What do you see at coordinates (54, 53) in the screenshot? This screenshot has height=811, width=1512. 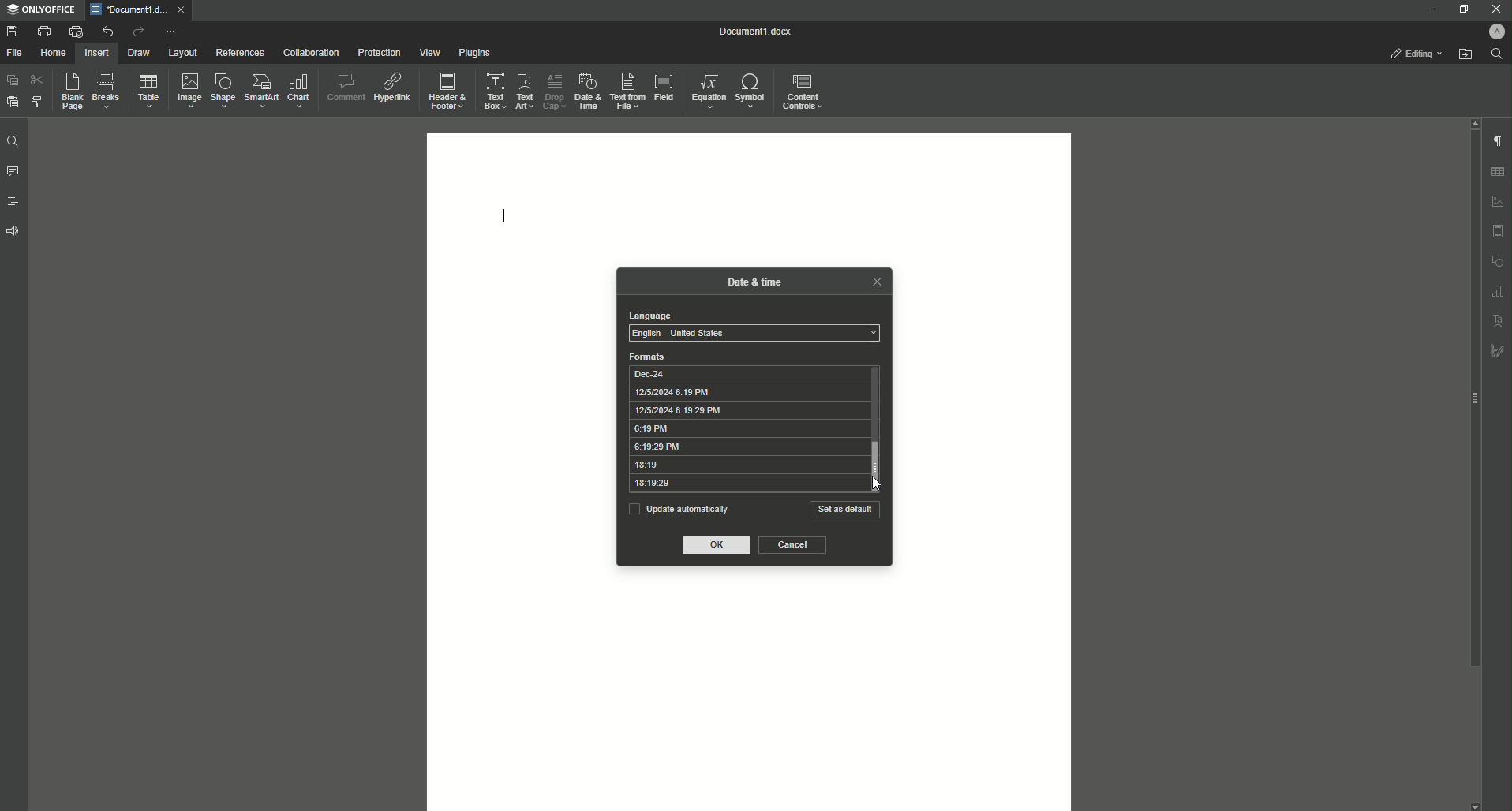 I see `Home` at bounding box center [54, 53].